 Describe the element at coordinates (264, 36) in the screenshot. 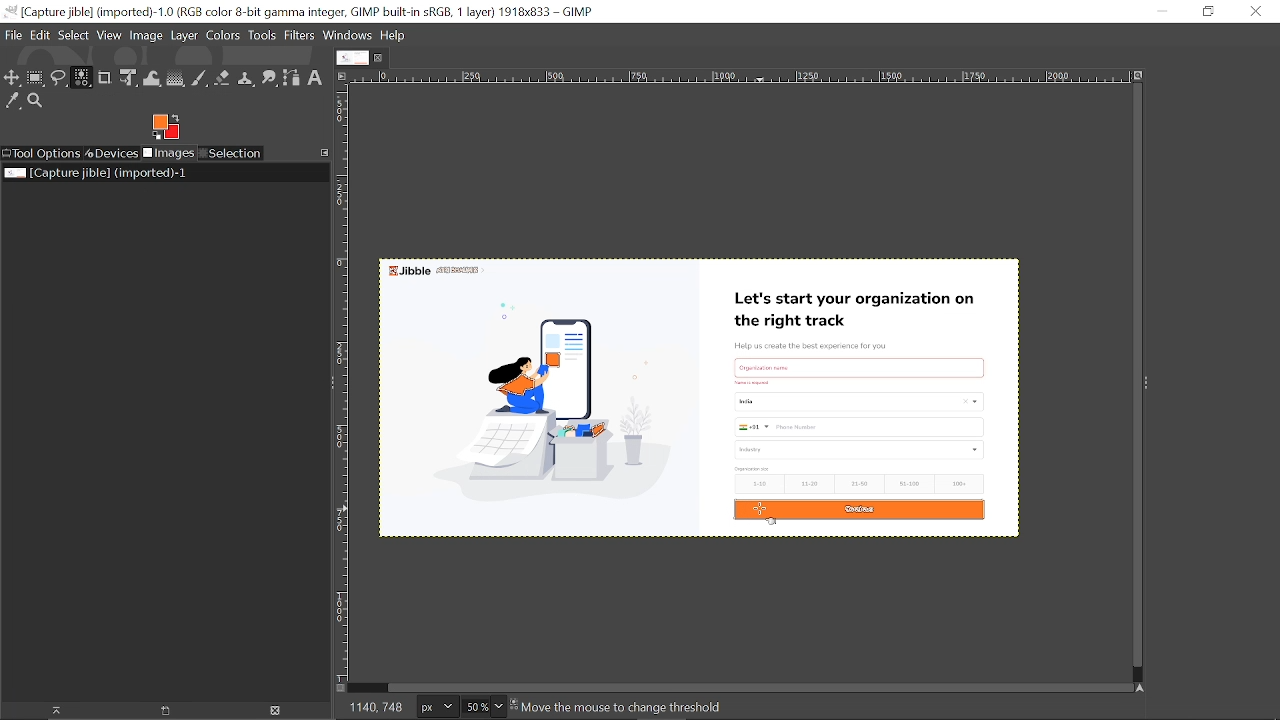

I see `` at that location.